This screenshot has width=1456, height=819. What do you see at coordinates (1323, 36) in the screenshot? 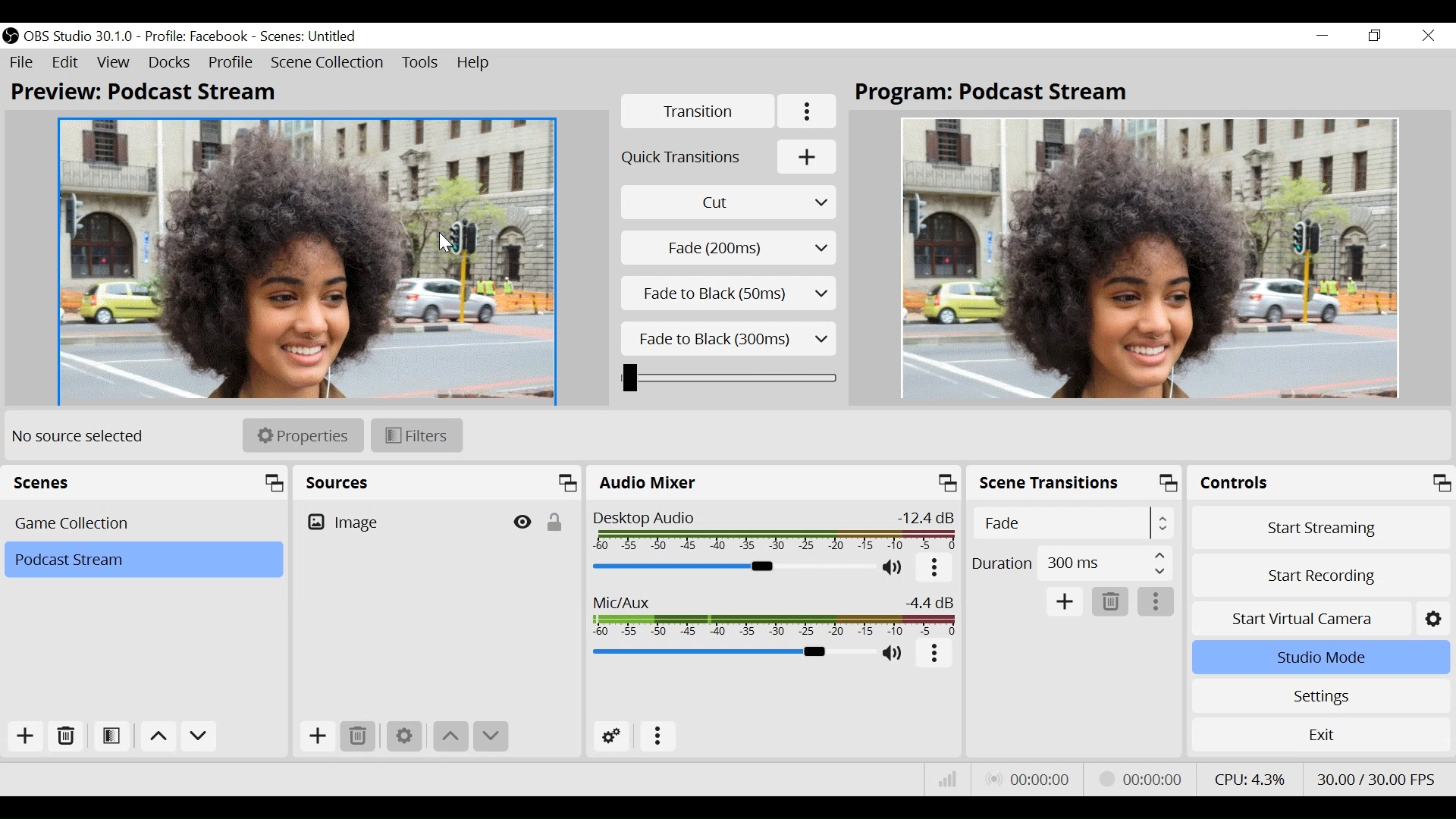
I see `minimize` at bounding box center [1323, 36].